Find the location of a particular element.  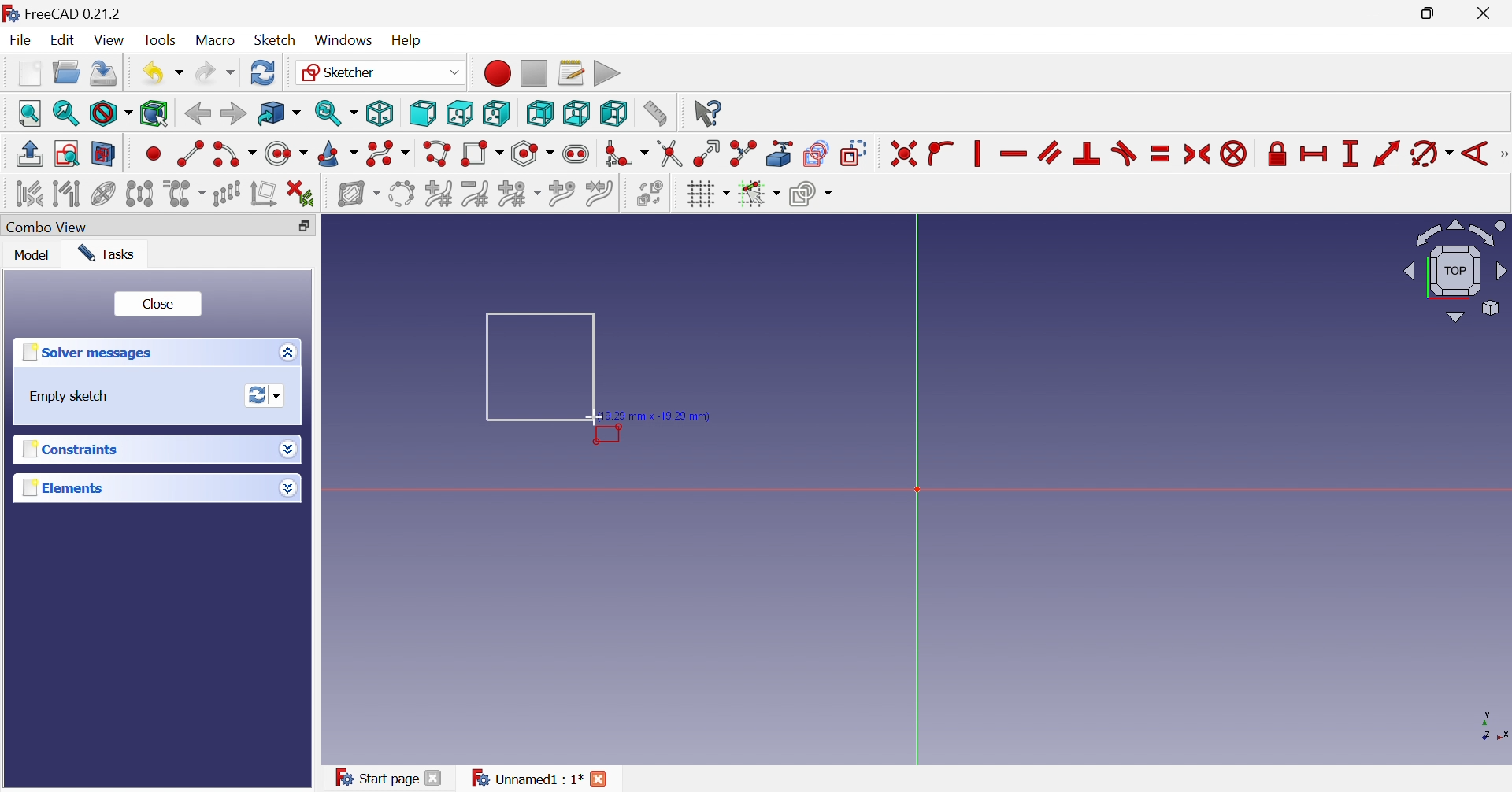

Isometric is located at coordinates (379, 114).